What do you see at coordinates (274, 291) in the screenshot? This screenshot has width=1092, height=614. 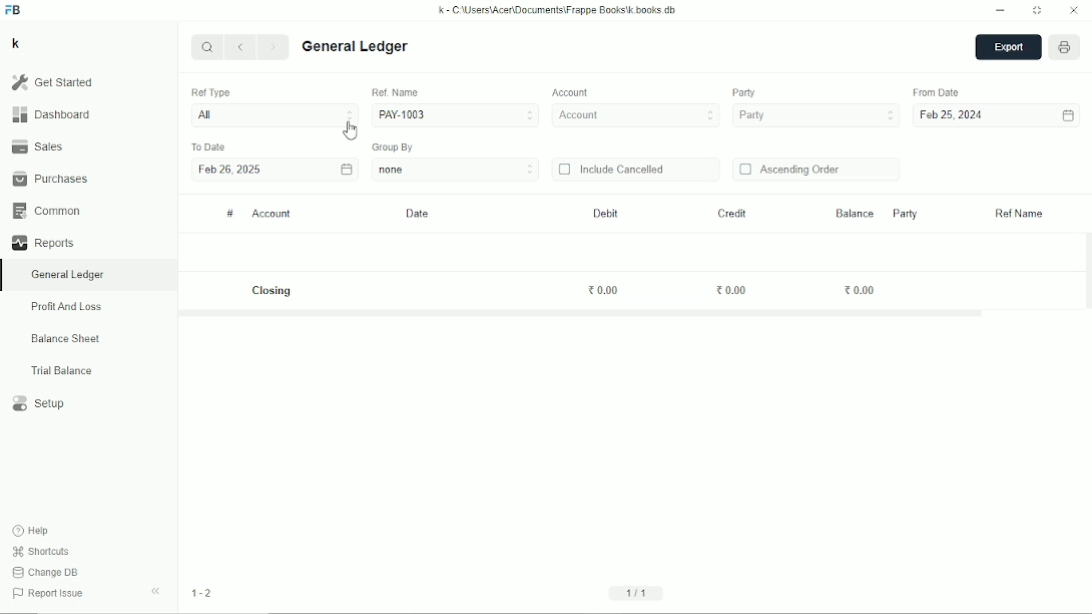 I see `Closing` at bounding box center [274, 291].